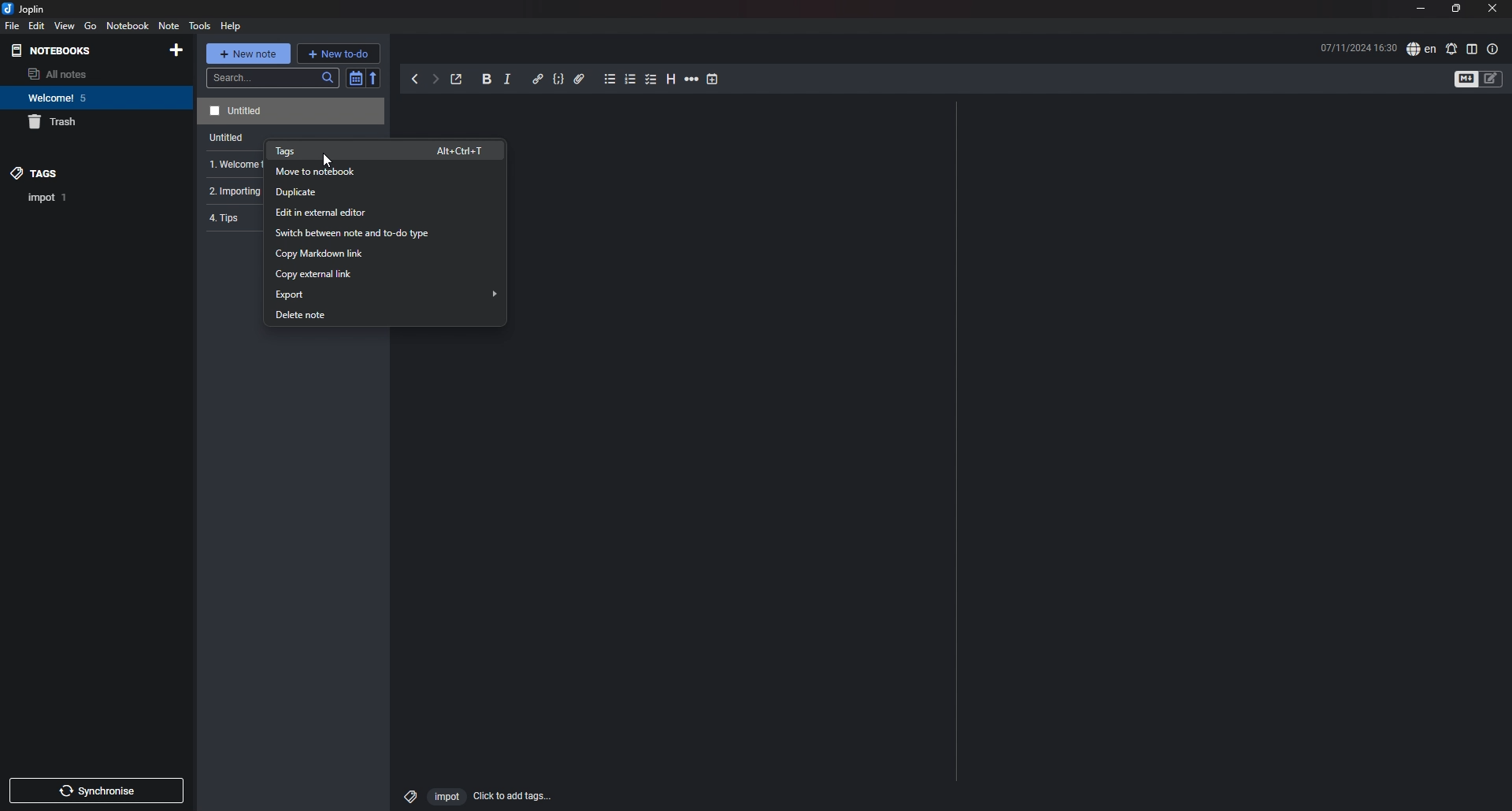 The height and width of the screenshot is (811, 1512). What do you see at coordinates (1455, 9) in the screenshot?
I see `resize` at bounding box center [1455, 9].